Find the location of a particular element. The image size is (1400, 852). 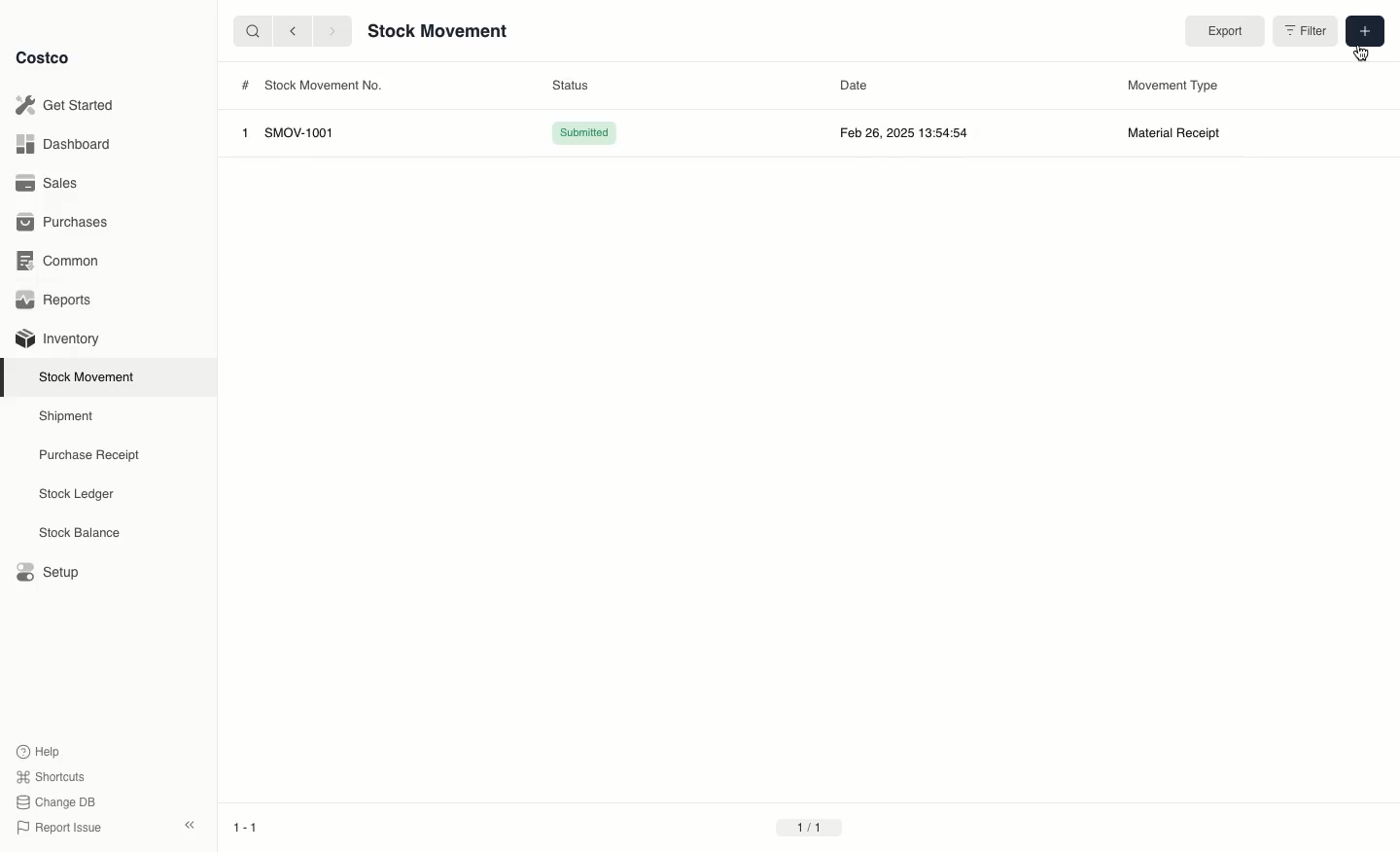

cursor is located at coordinates (1358, 55).